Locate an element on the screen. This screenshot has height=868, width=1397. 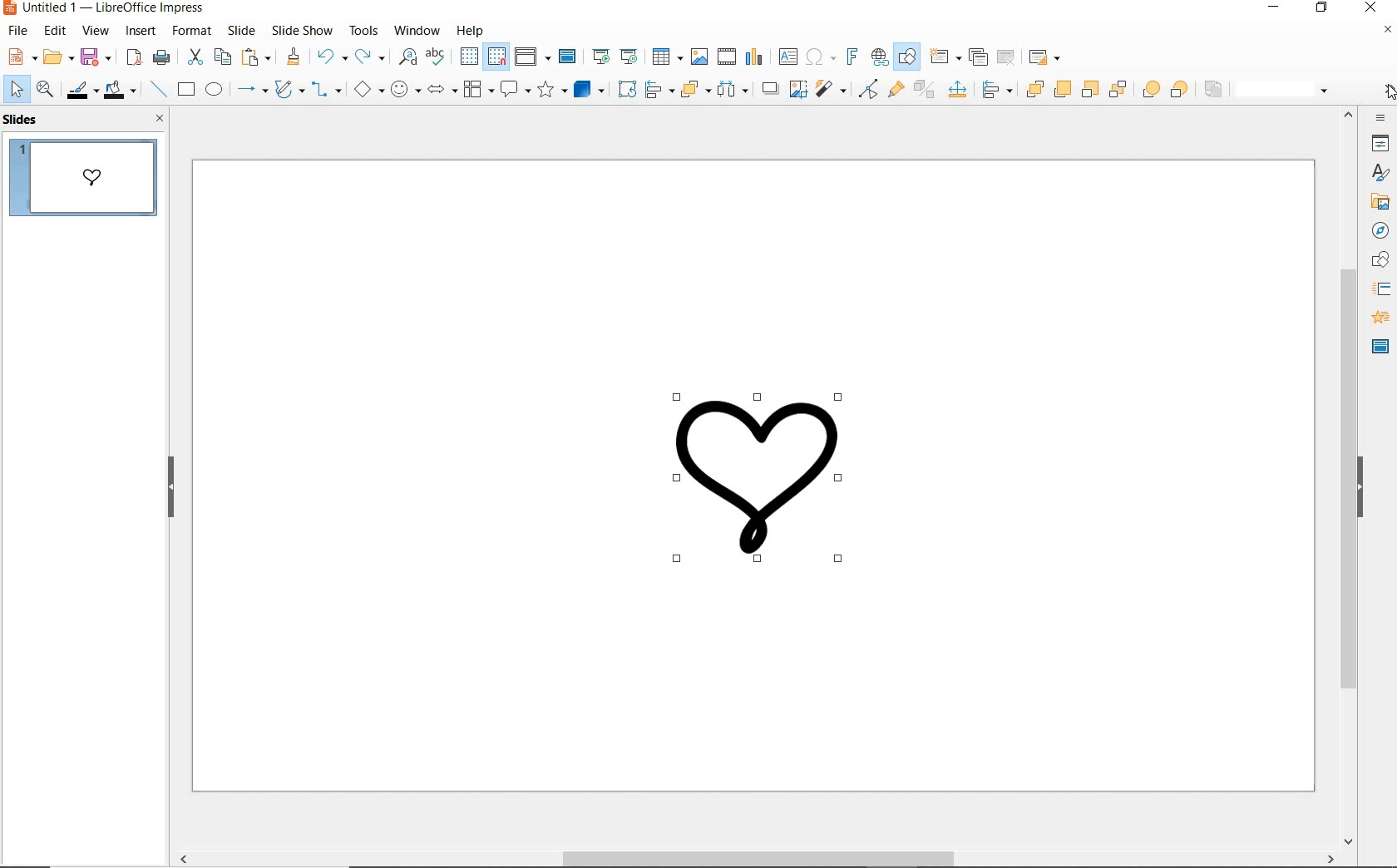
 is located at coordinates (957, 90).